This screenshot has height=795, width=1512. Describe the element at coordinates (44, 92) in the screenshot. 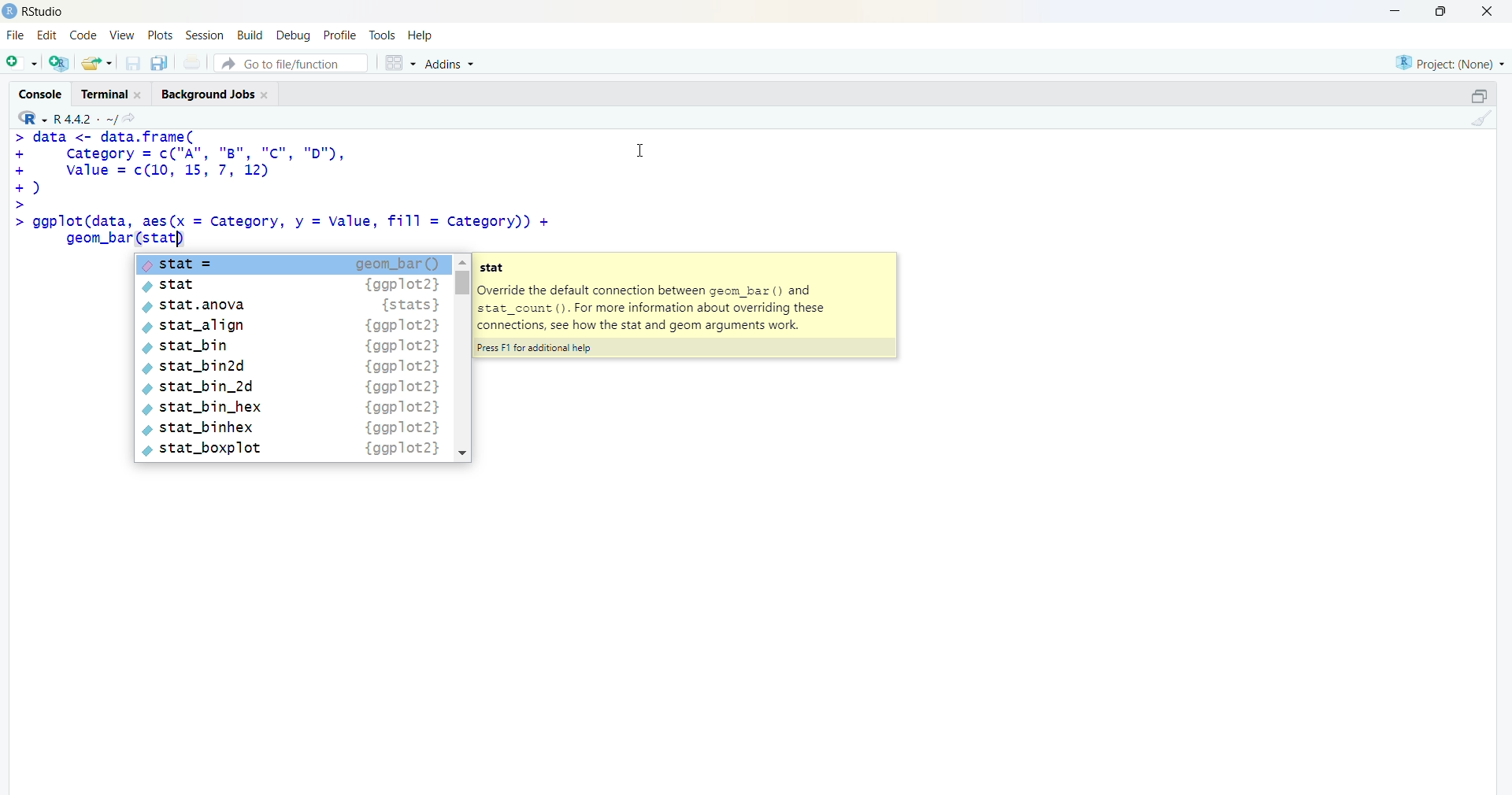

I see `Console` at that location.